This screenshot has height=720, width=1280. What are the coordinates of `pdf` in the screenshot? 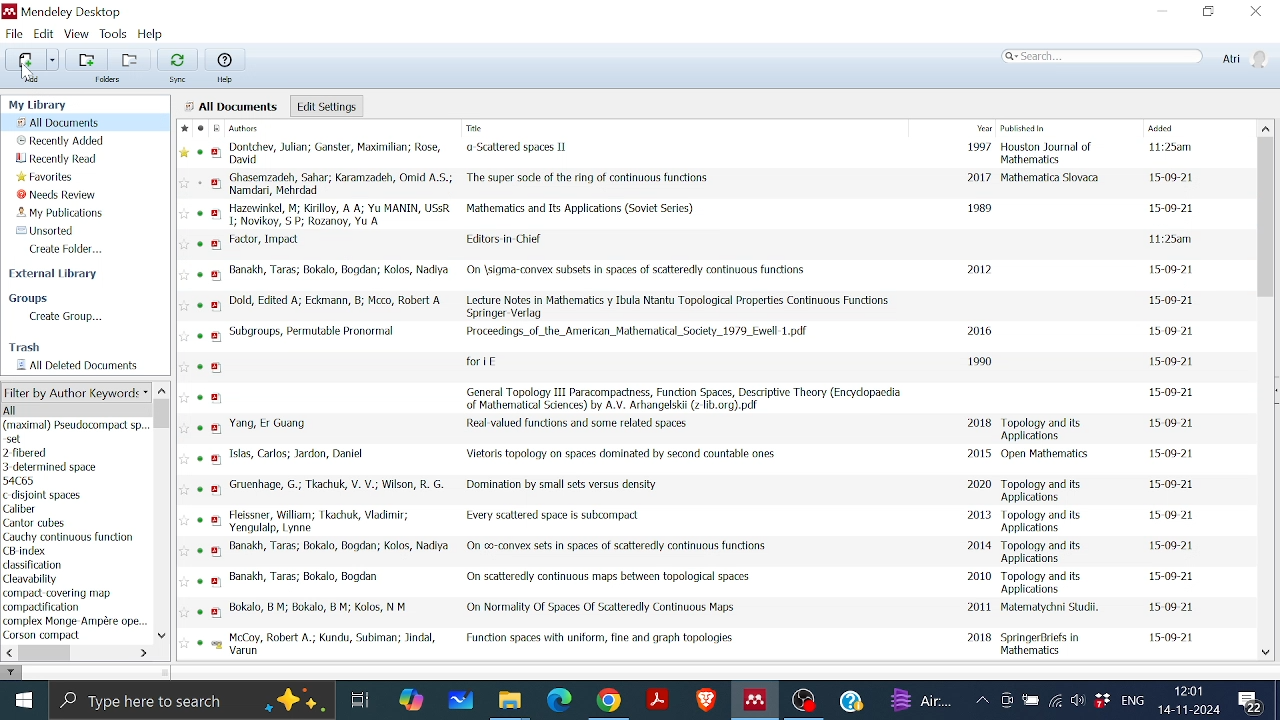 It's located at (218, 488).